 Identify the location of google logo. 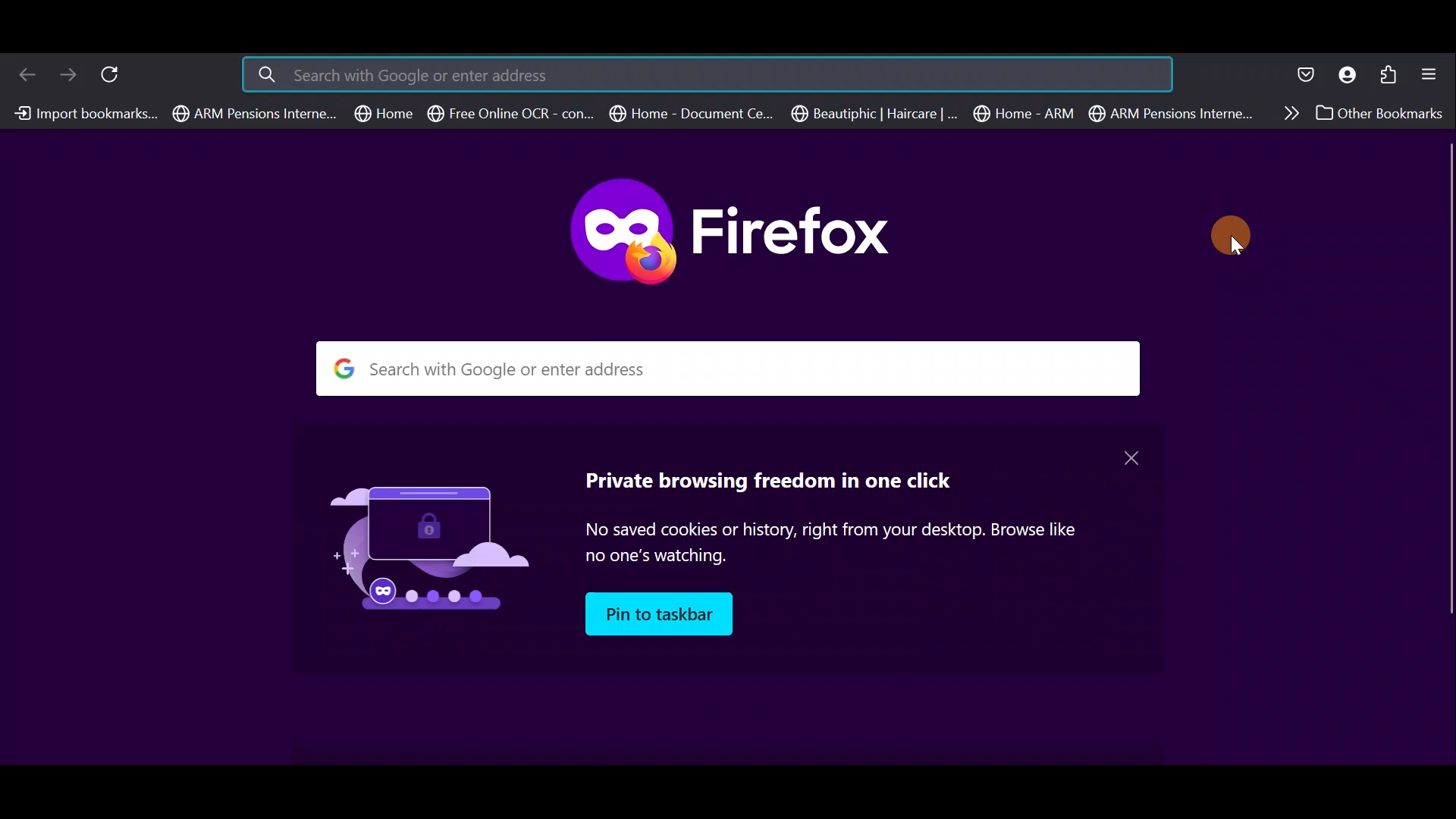
(342, 369).